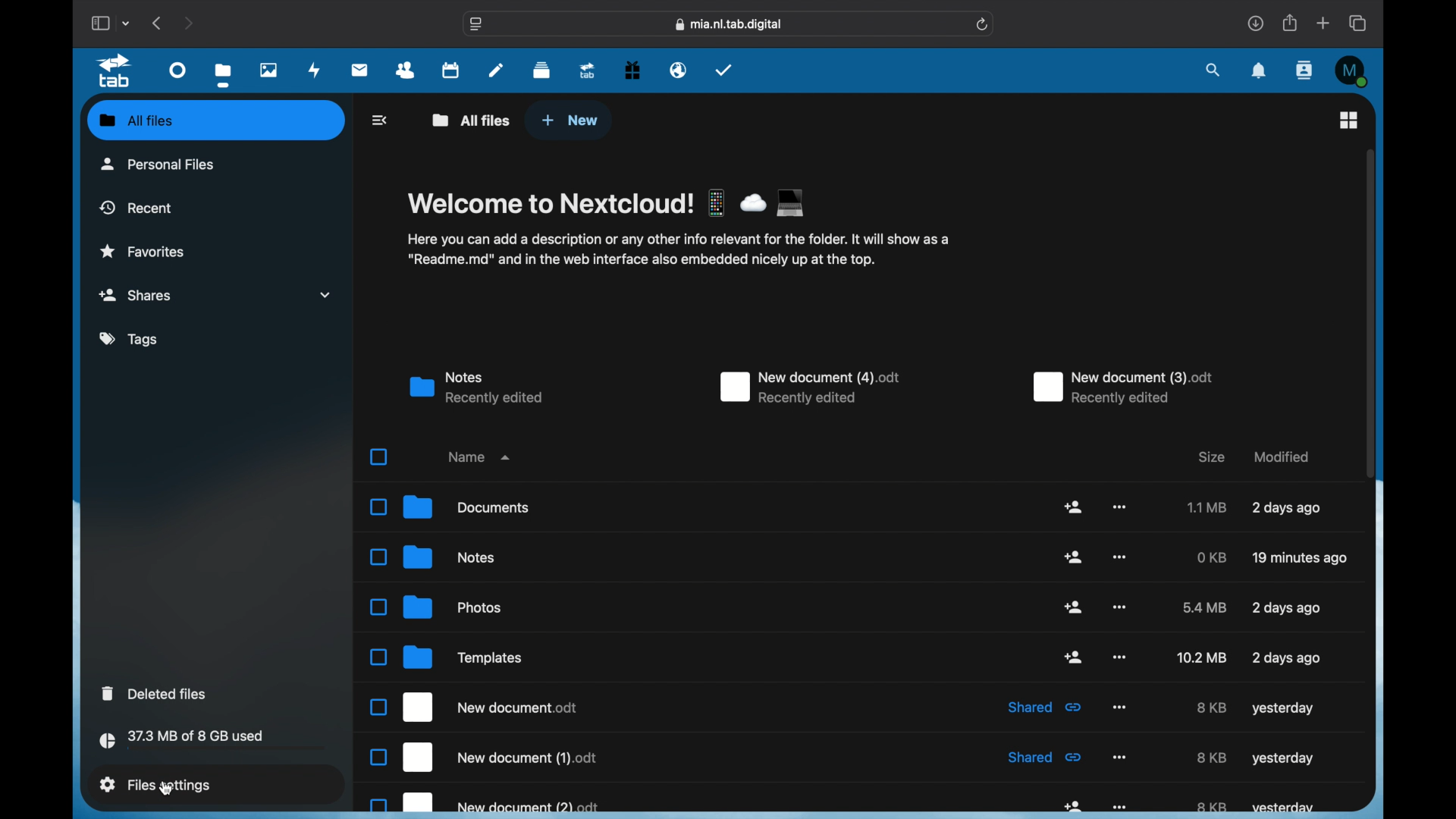 The width and height of the screenshot is (1456, 819). Describe the element at coordinates (541, 71) in the screenshot. I see `deck` at that location.